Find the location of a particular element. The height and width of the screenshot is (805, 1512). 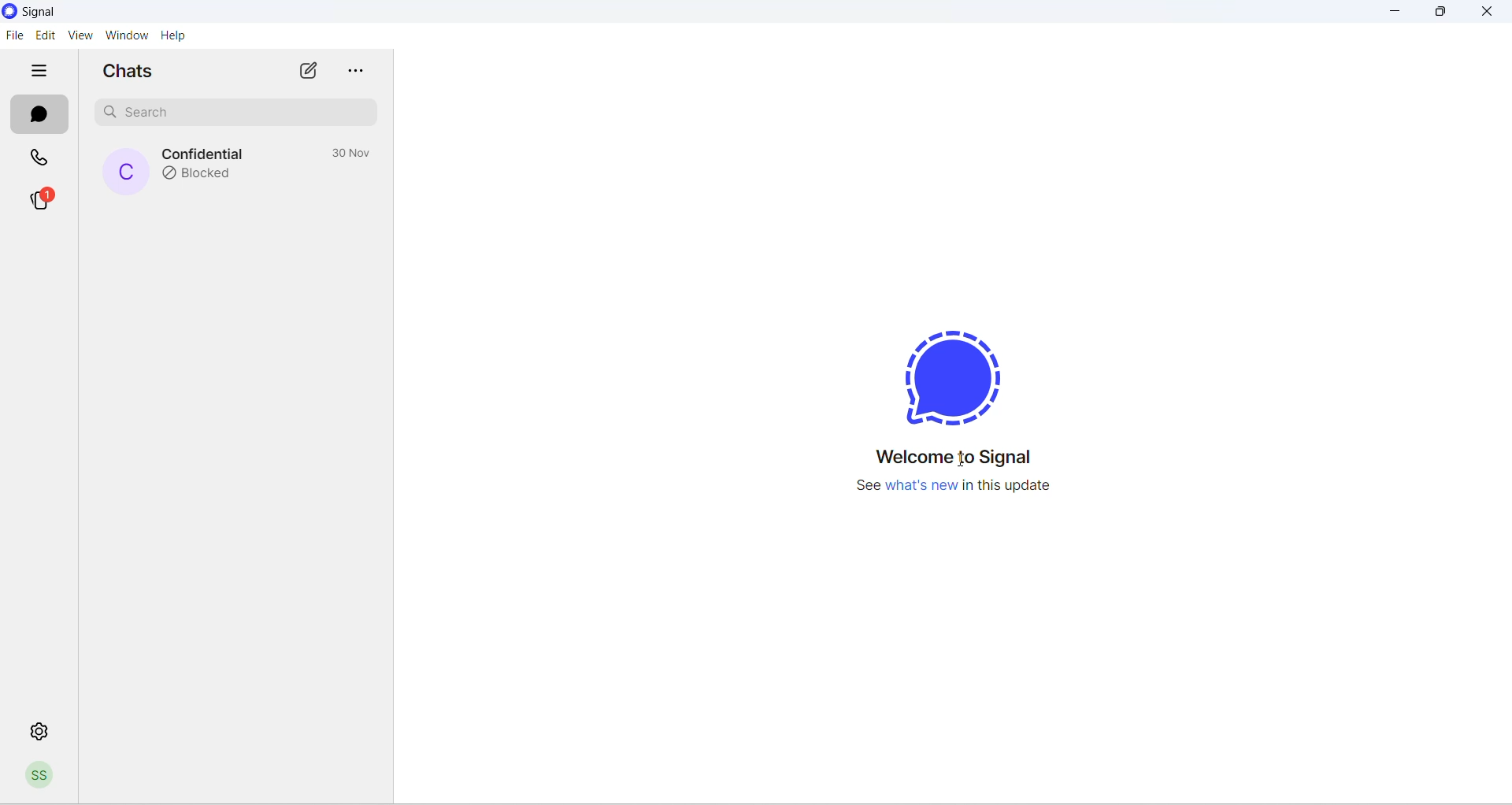

close is located at coordinates (1492, 13).